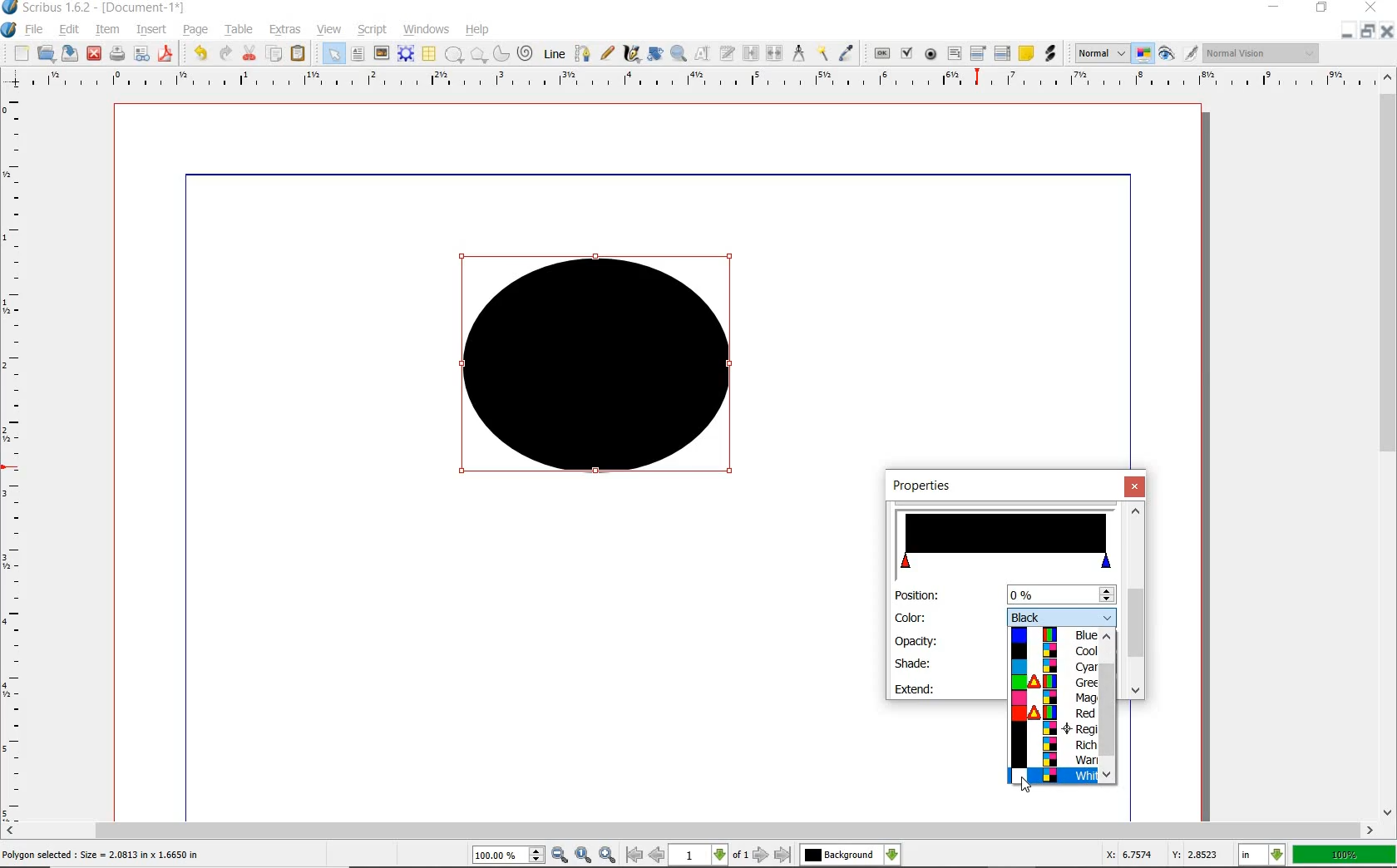  Describe the element at coordinates (481, 28) in the screenshot. I see `HELP` at that location.